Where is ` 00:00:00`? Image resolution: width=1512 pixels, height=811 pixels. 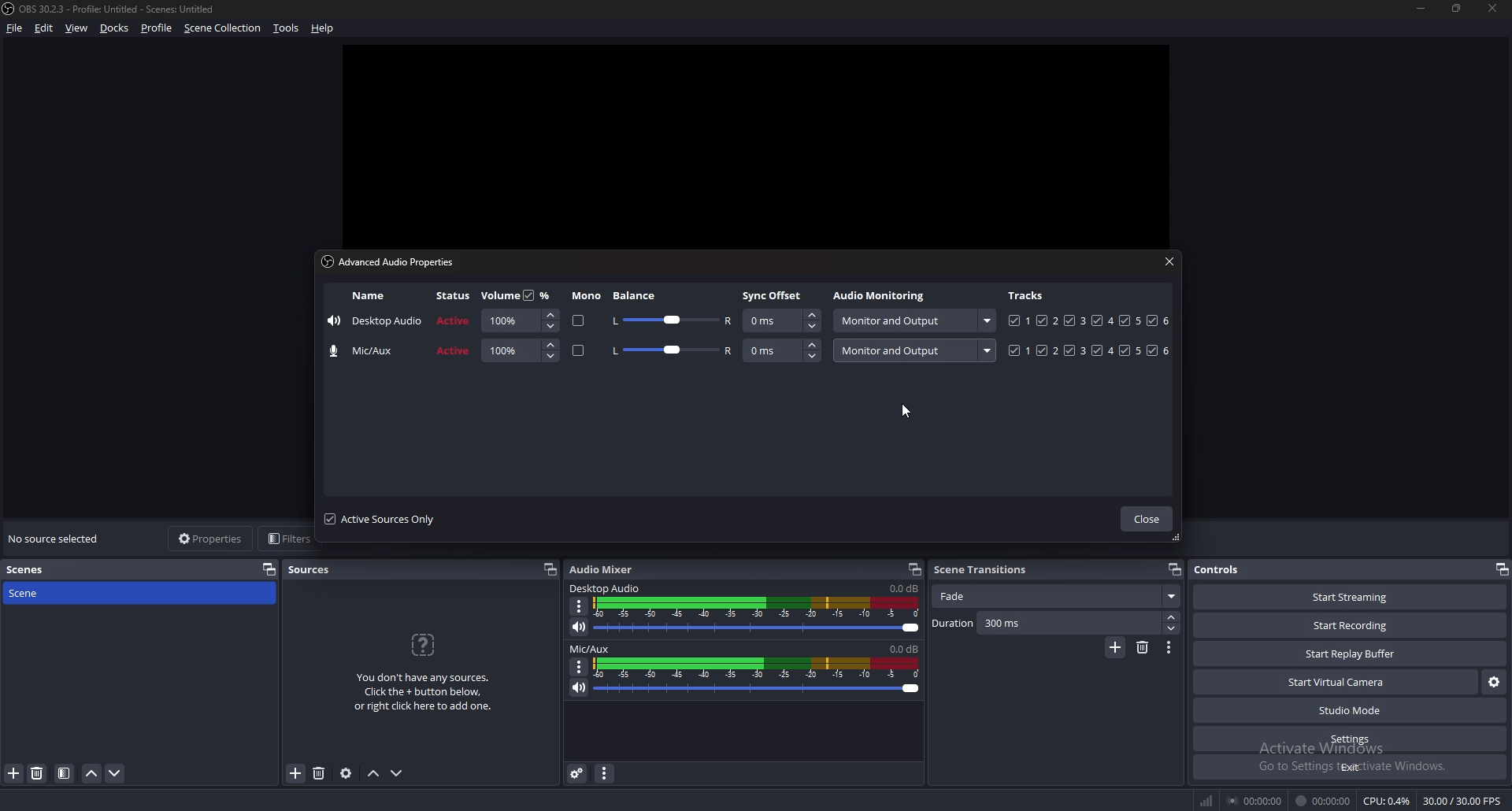  00:00:00 is located at coordinates (1325, 802).